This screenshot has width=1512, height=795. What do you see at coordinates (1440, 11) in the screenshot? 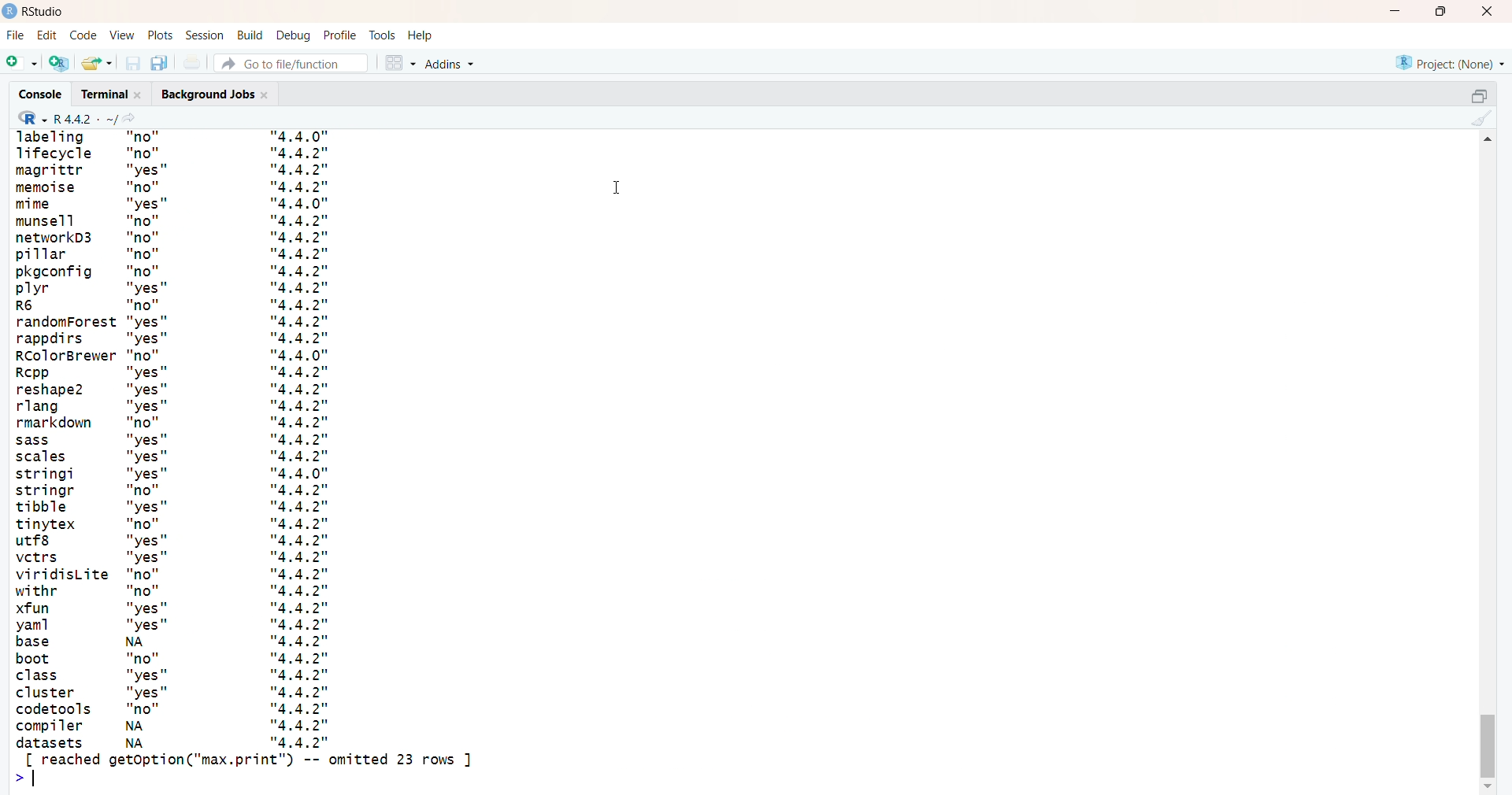
I see `maximize` at bounding box center [1440, 11].